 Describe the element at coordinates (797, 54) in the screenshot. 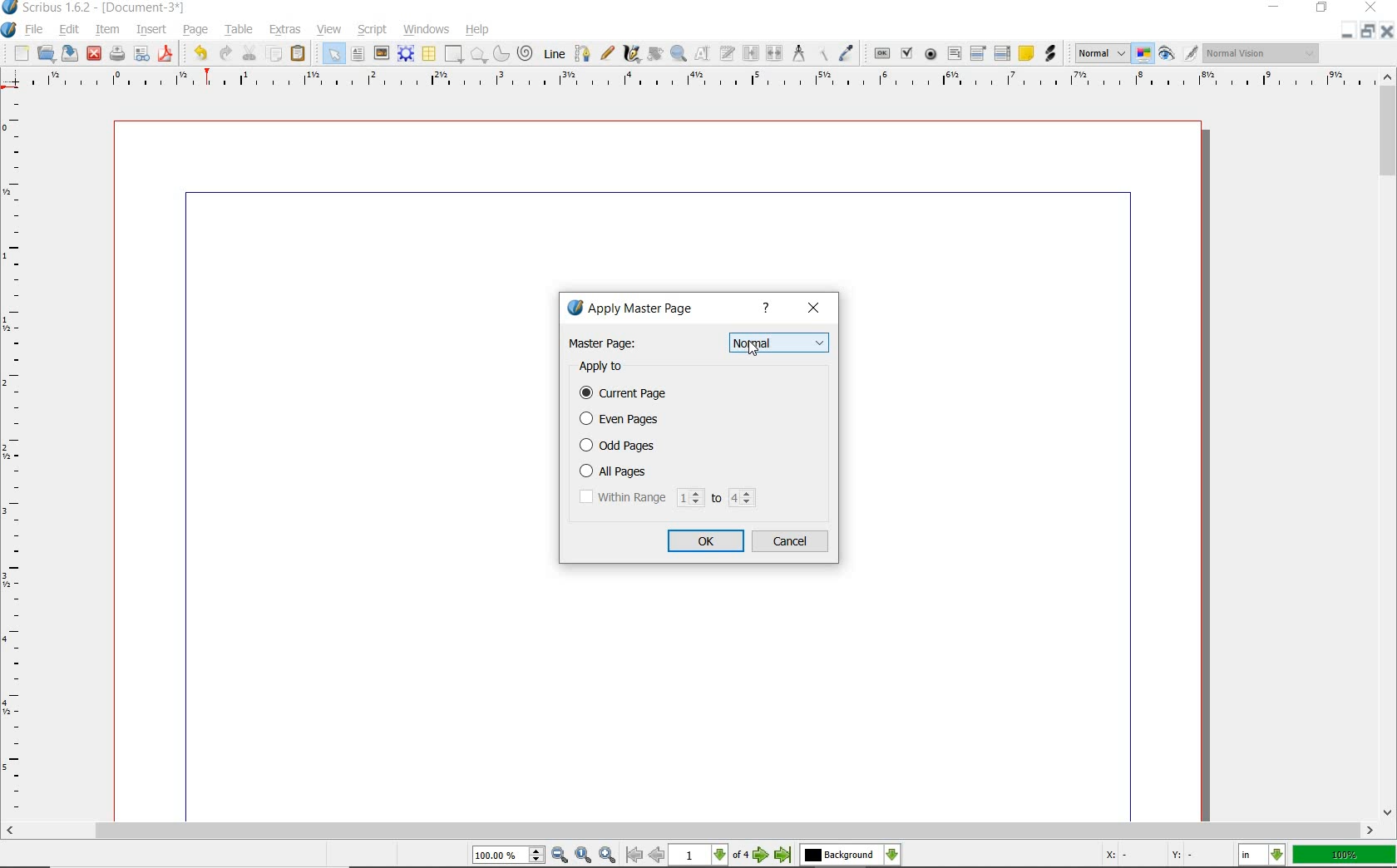

I see `measurements` at that location.